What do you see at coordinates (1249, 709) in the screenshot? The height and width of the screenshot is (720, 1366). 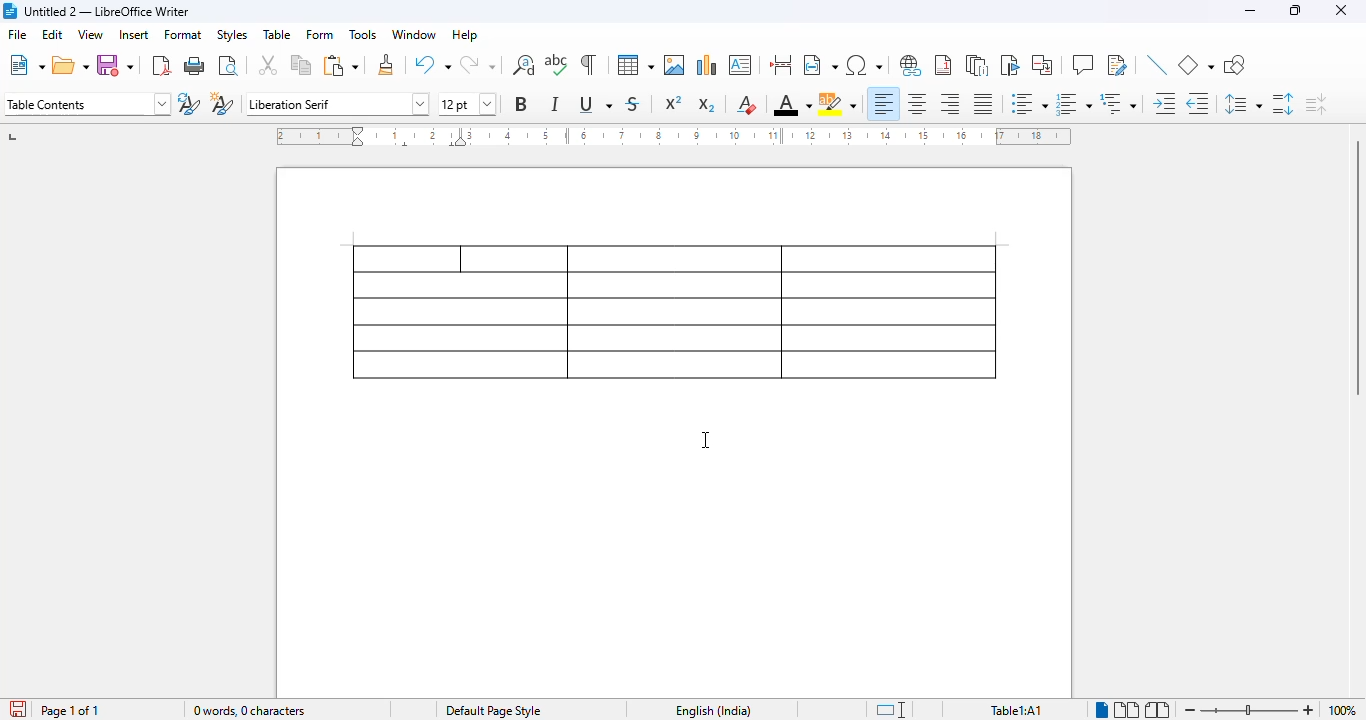 I see `` at bounding box center [1249, 709].